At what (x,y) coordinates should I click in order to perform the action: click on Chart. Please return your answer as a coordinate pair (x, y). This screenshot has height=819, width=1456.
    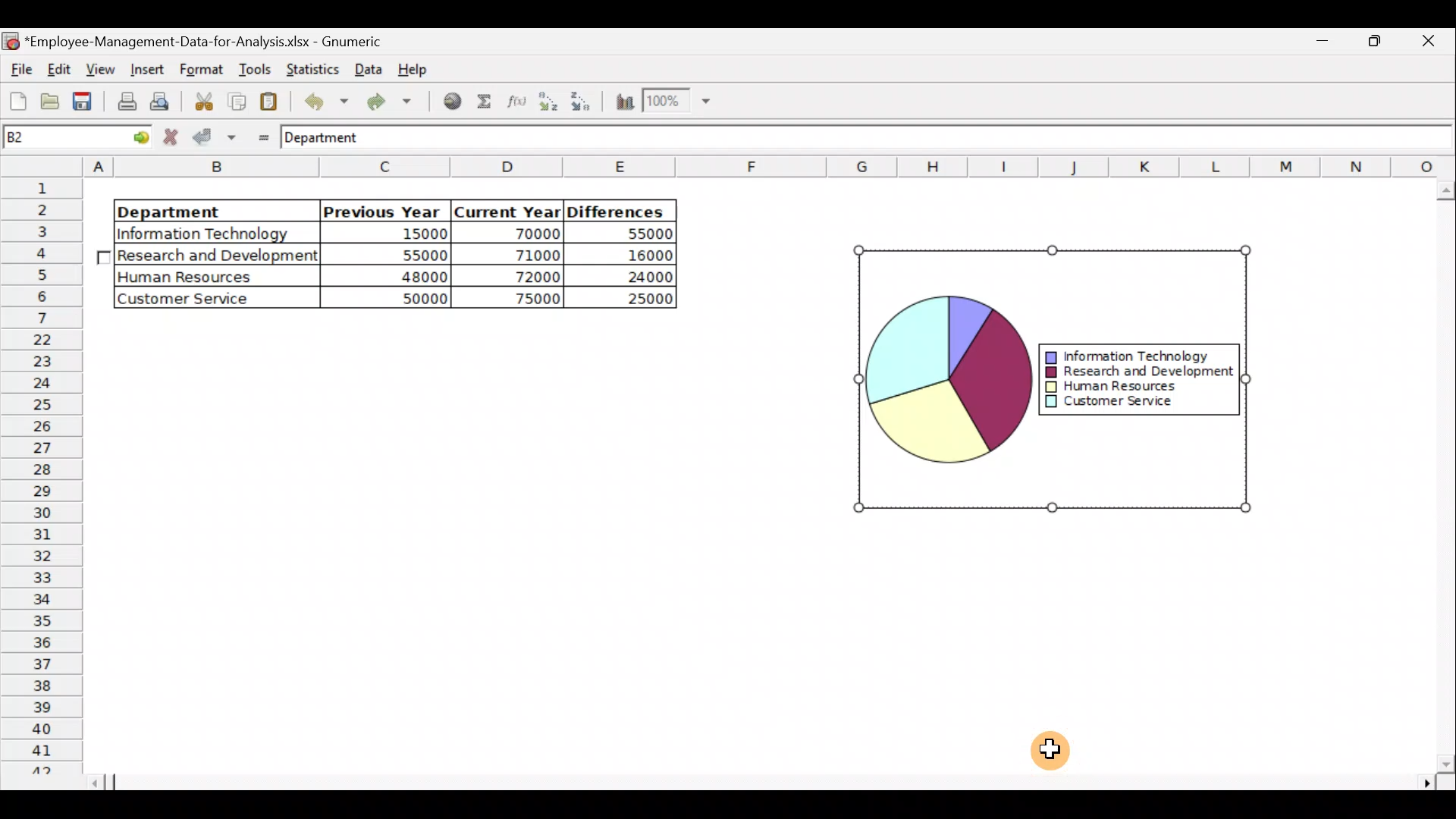
    Looking at the image, I should click on (940, 377).